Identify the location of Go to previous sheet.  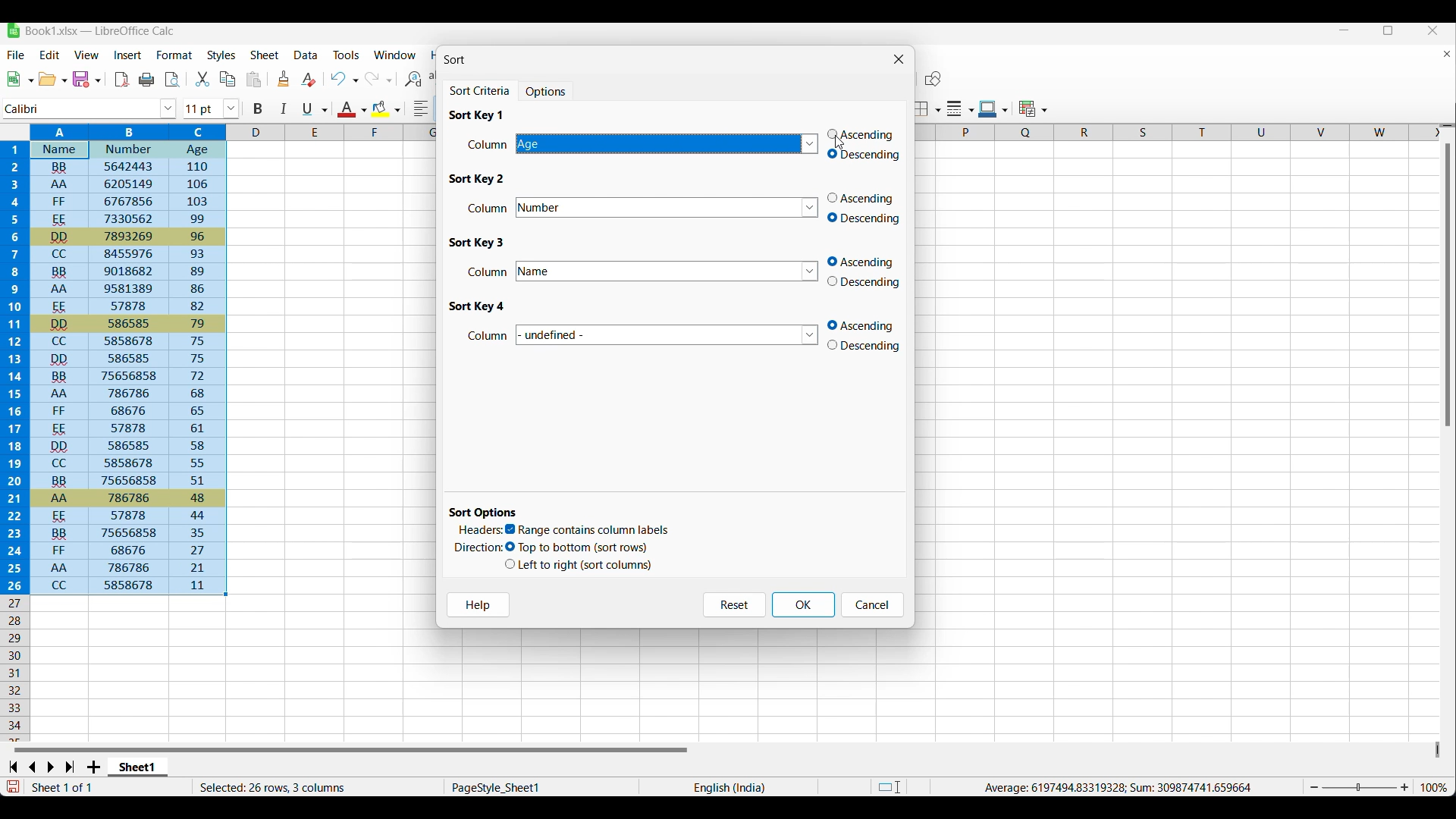
(32, 767).